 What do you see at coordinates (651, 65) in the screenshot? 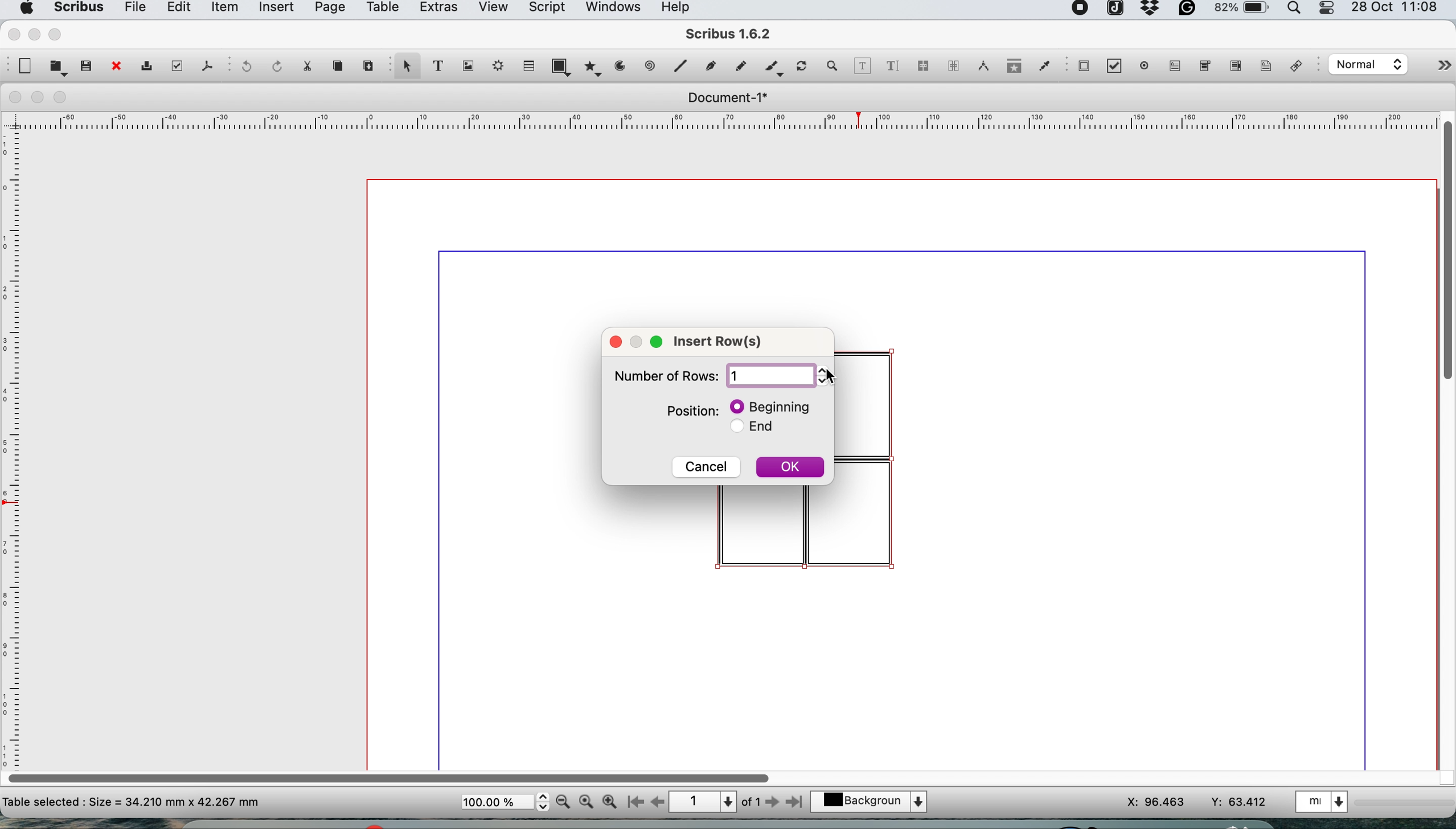
I see `spiral` at bounding box center [651, 65].